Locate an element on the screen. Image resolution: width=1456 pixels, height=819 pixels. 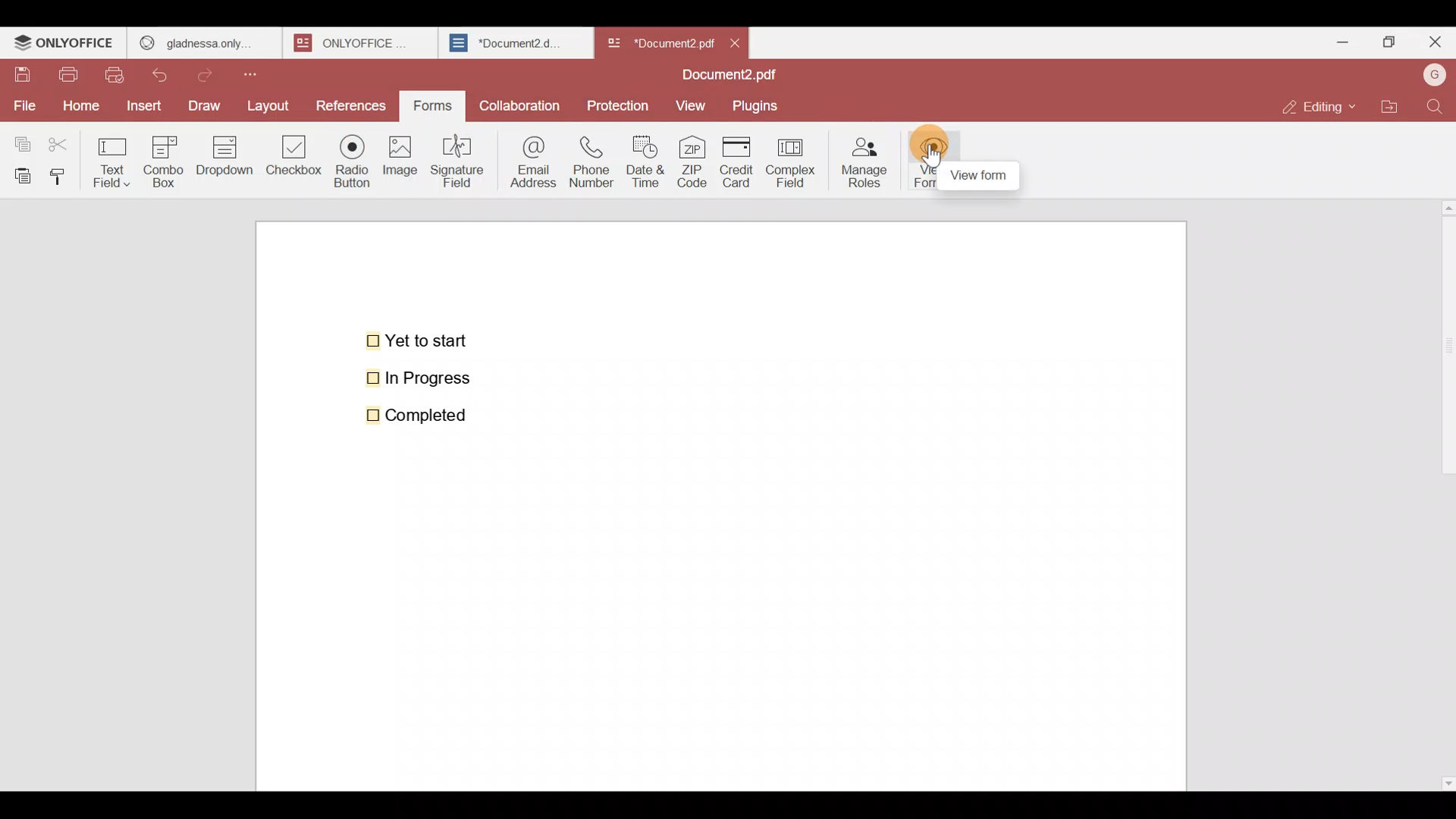
Forms is located at coordinates (434, 104).